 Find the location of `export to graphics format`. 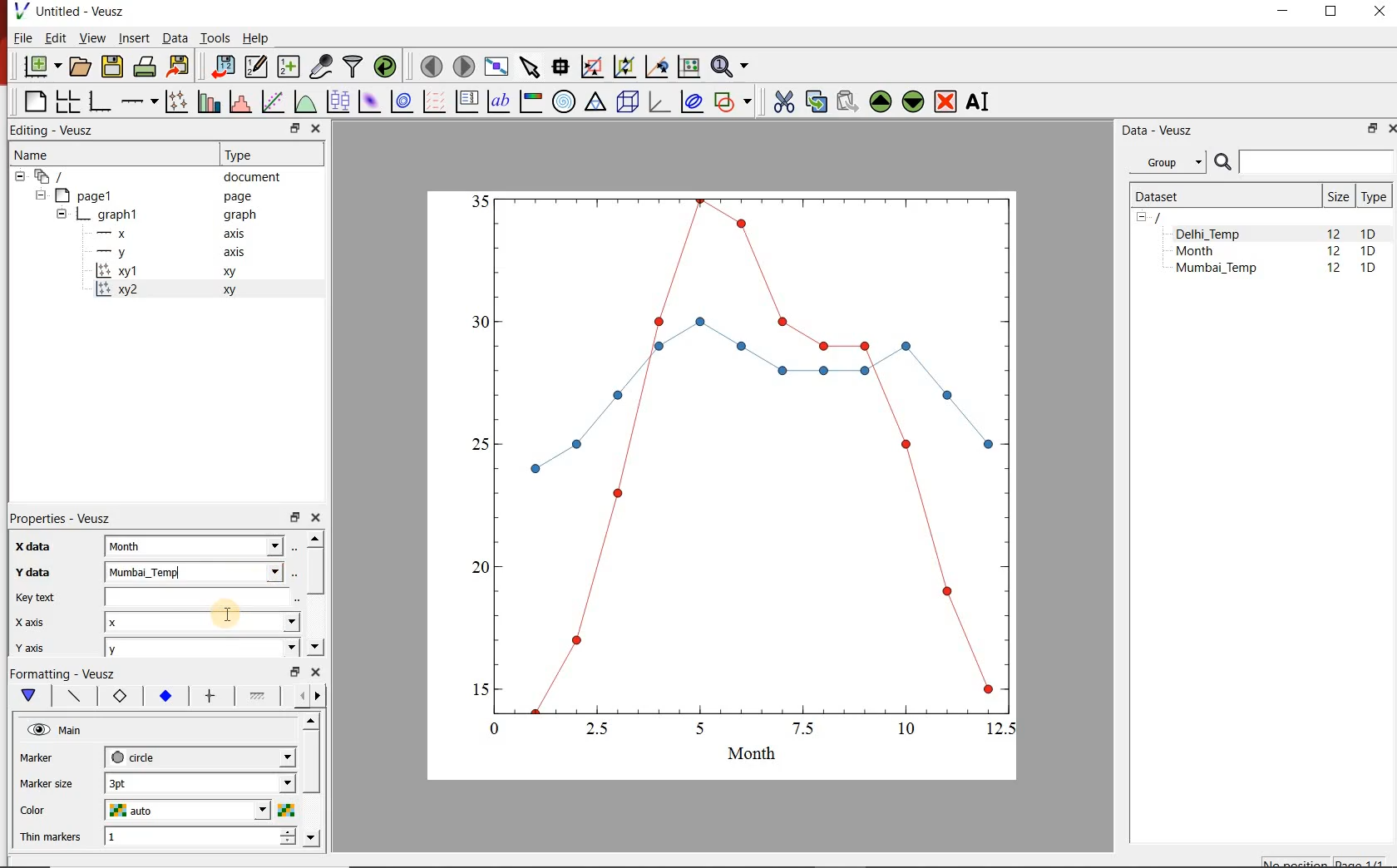

export to graphics format is located at coordinates (180, 67).